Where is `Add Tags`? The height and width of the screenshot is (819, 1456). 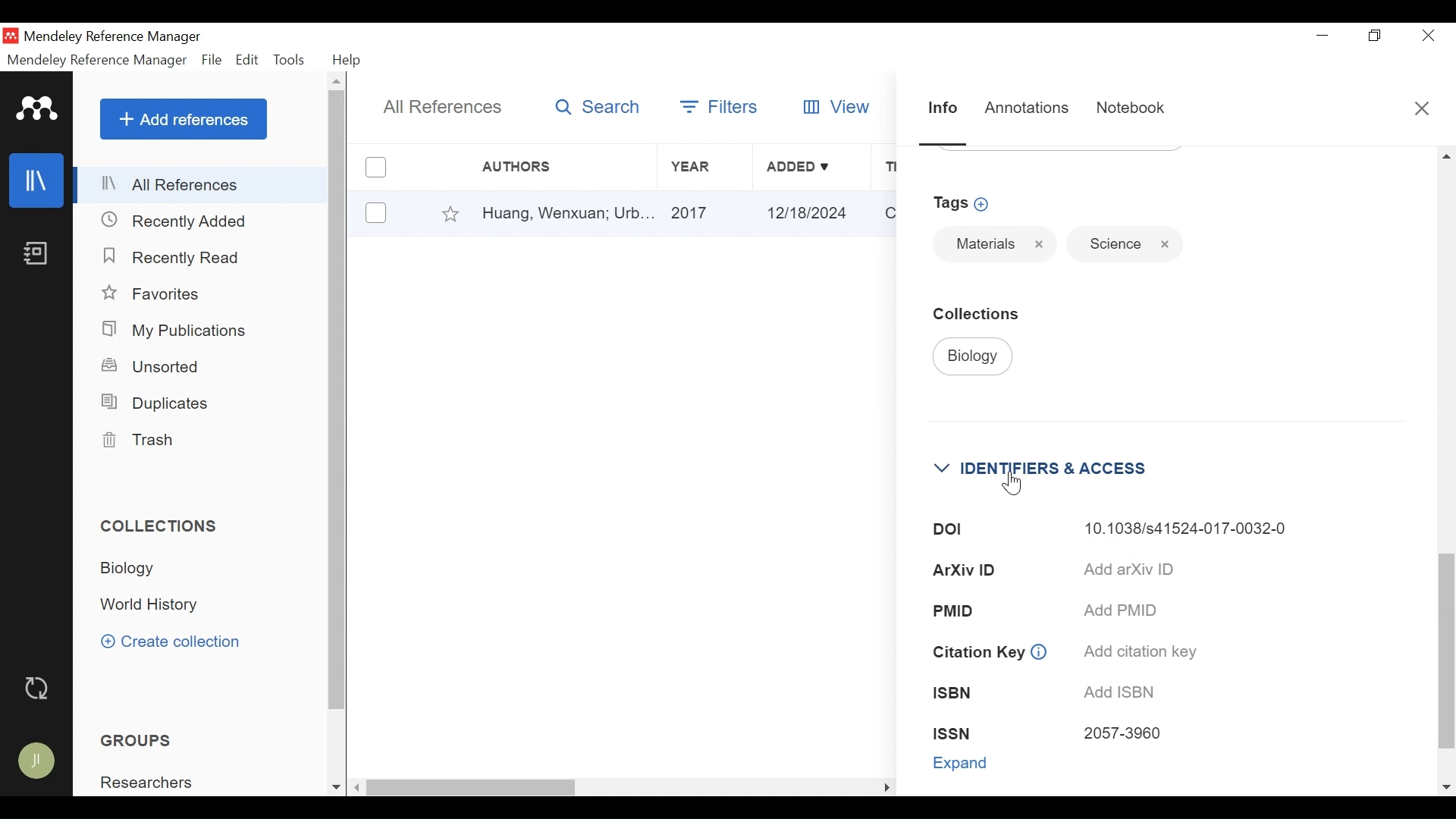 Add Tags is located at coordinates (965, 203).